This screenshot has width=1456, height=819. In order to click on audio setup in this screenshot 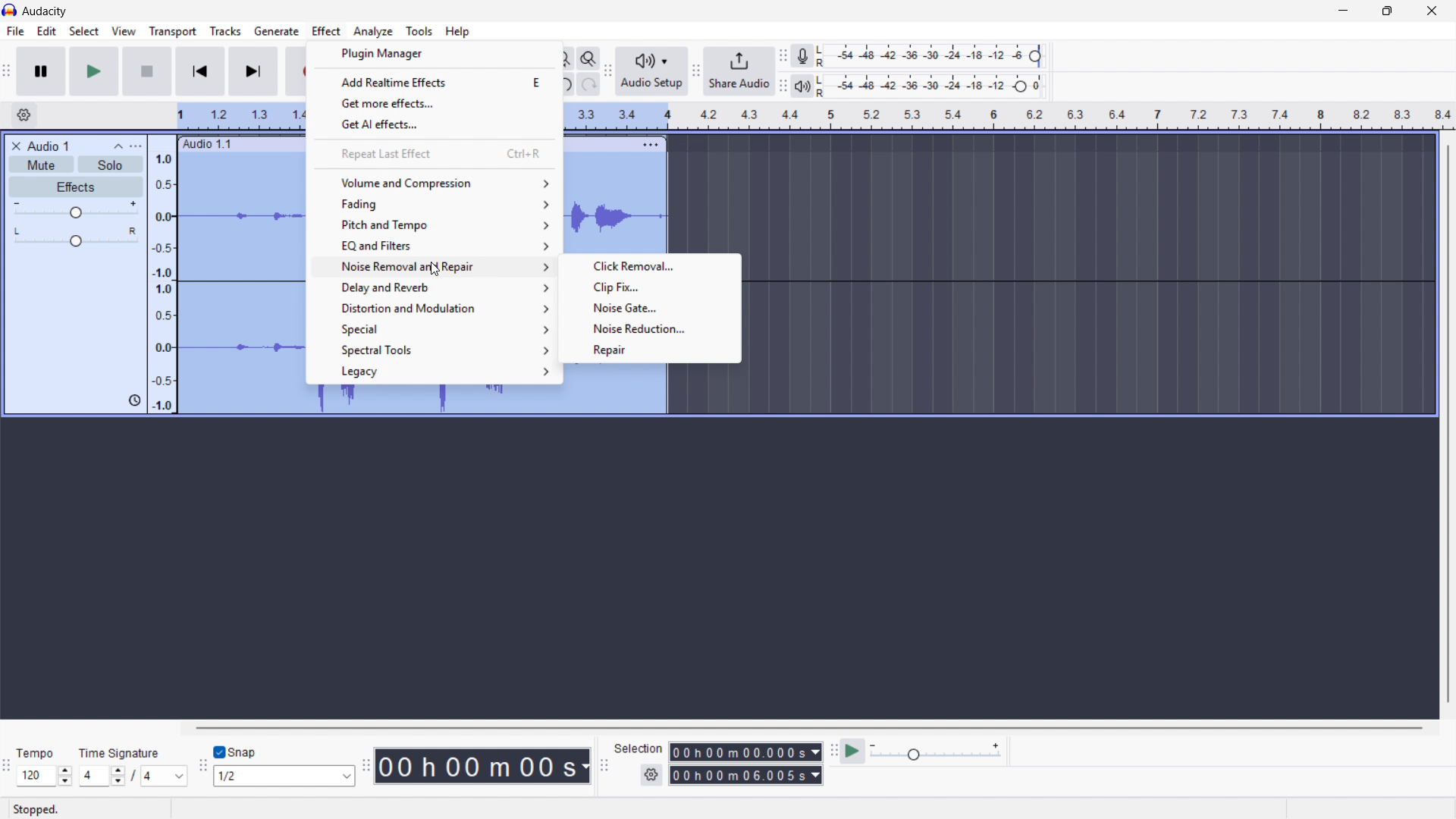, I will do `click(652, 71)`.